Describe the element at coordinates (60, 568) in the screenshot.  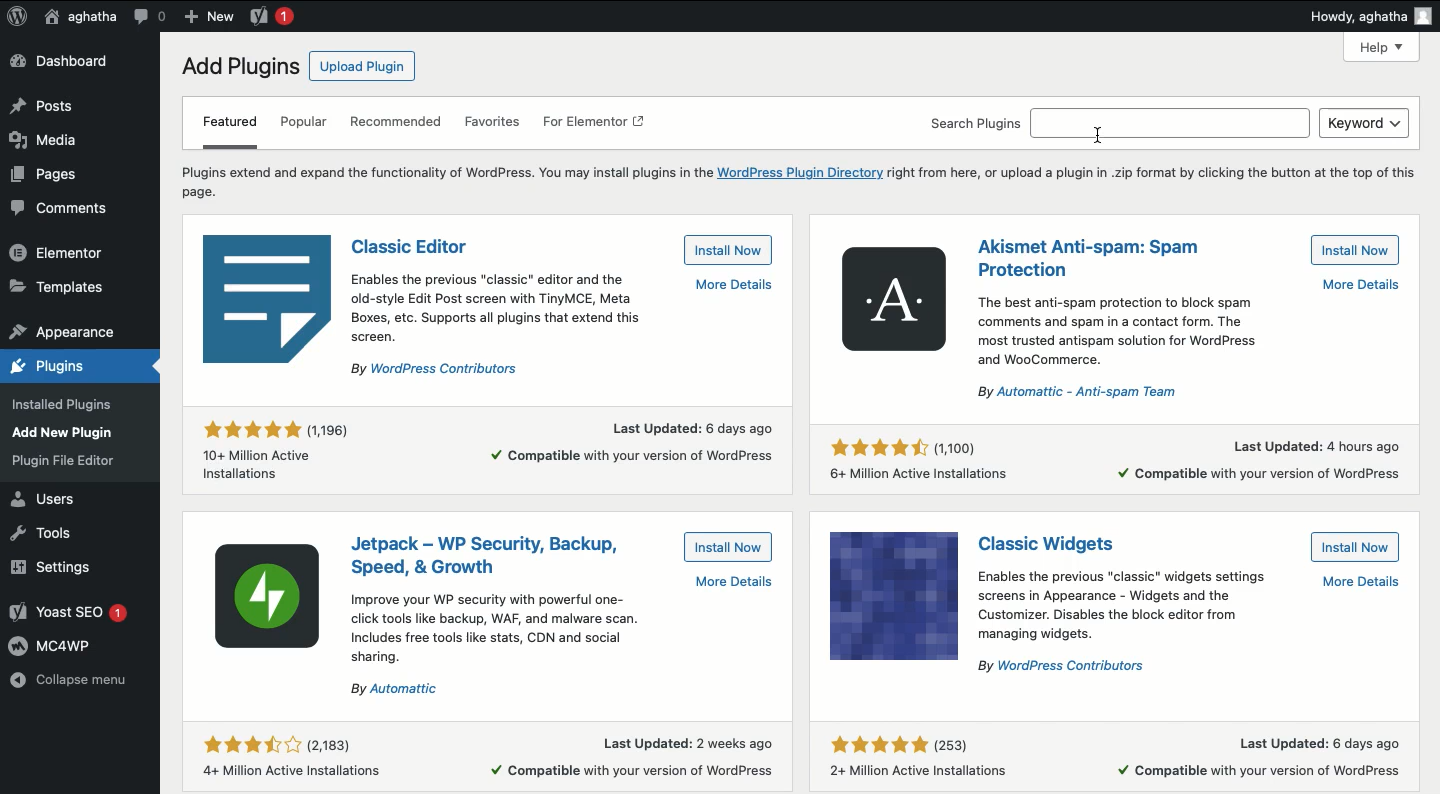
I see `Settings` at that location.